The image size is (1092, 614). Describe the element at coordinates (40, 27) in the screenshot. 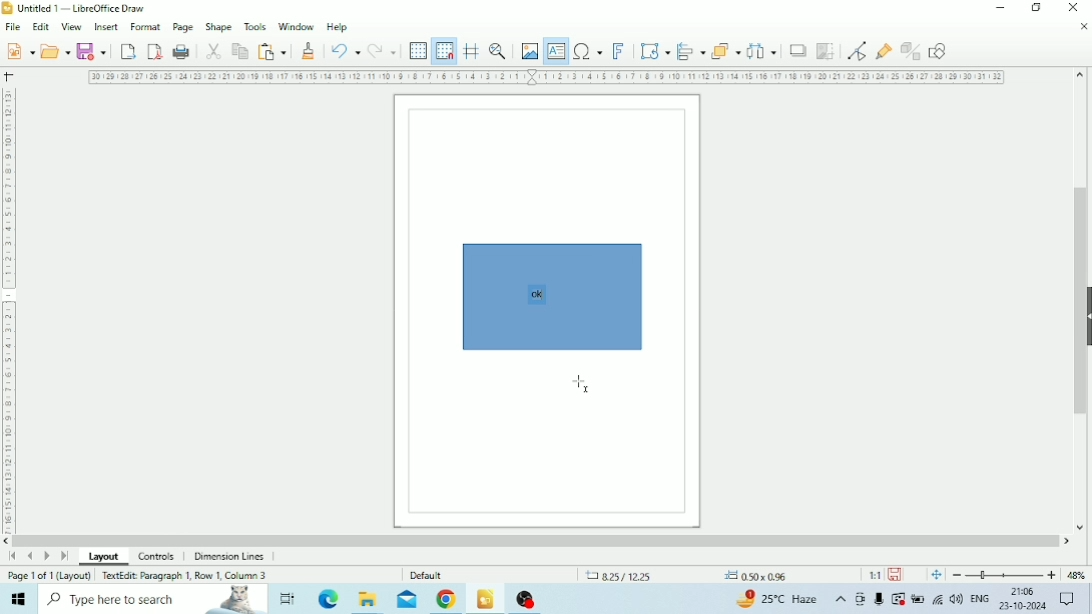

I see `Edit` at that location.